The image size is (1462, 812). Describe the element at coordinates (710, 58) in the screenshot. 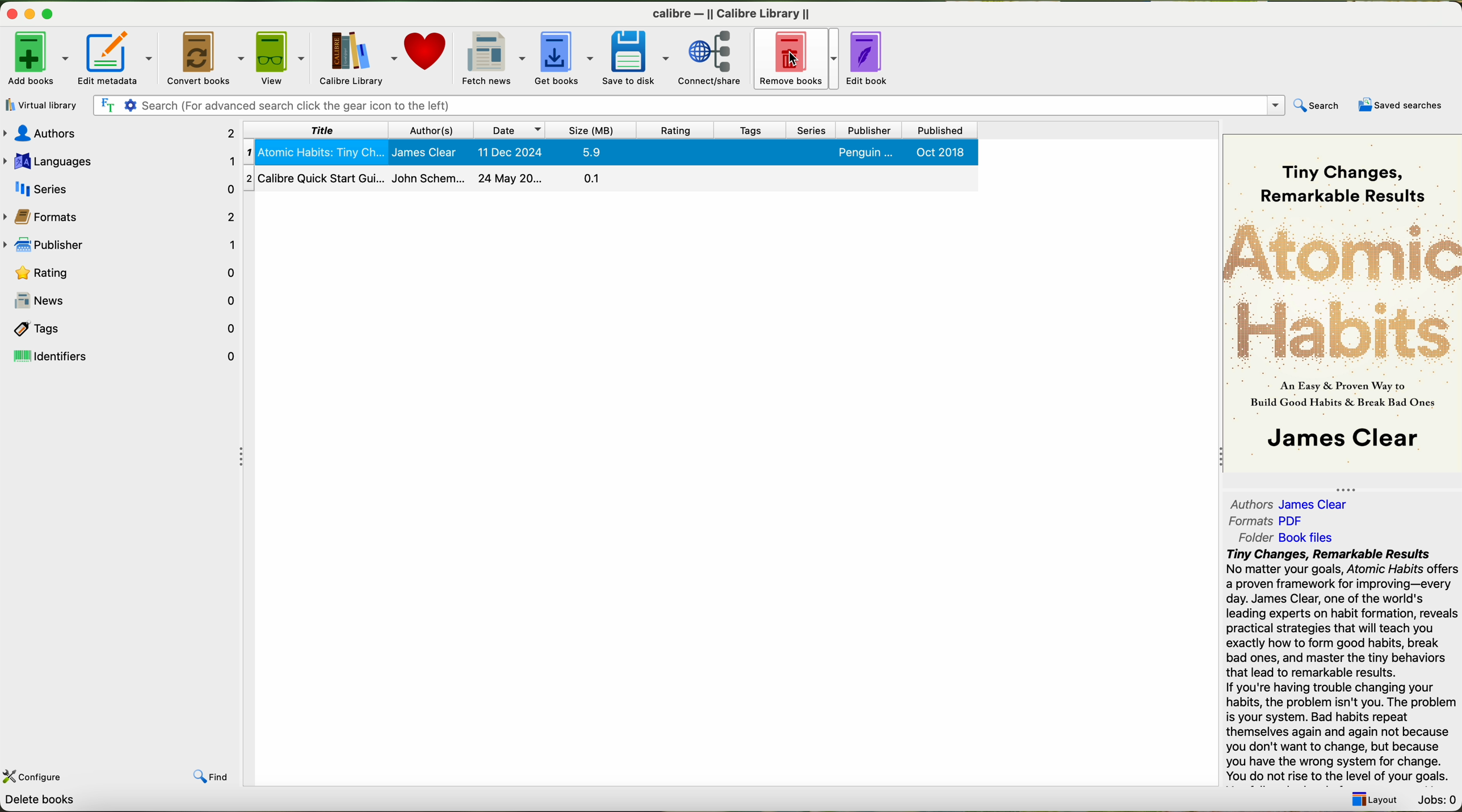

I see `connect/share` at that location.